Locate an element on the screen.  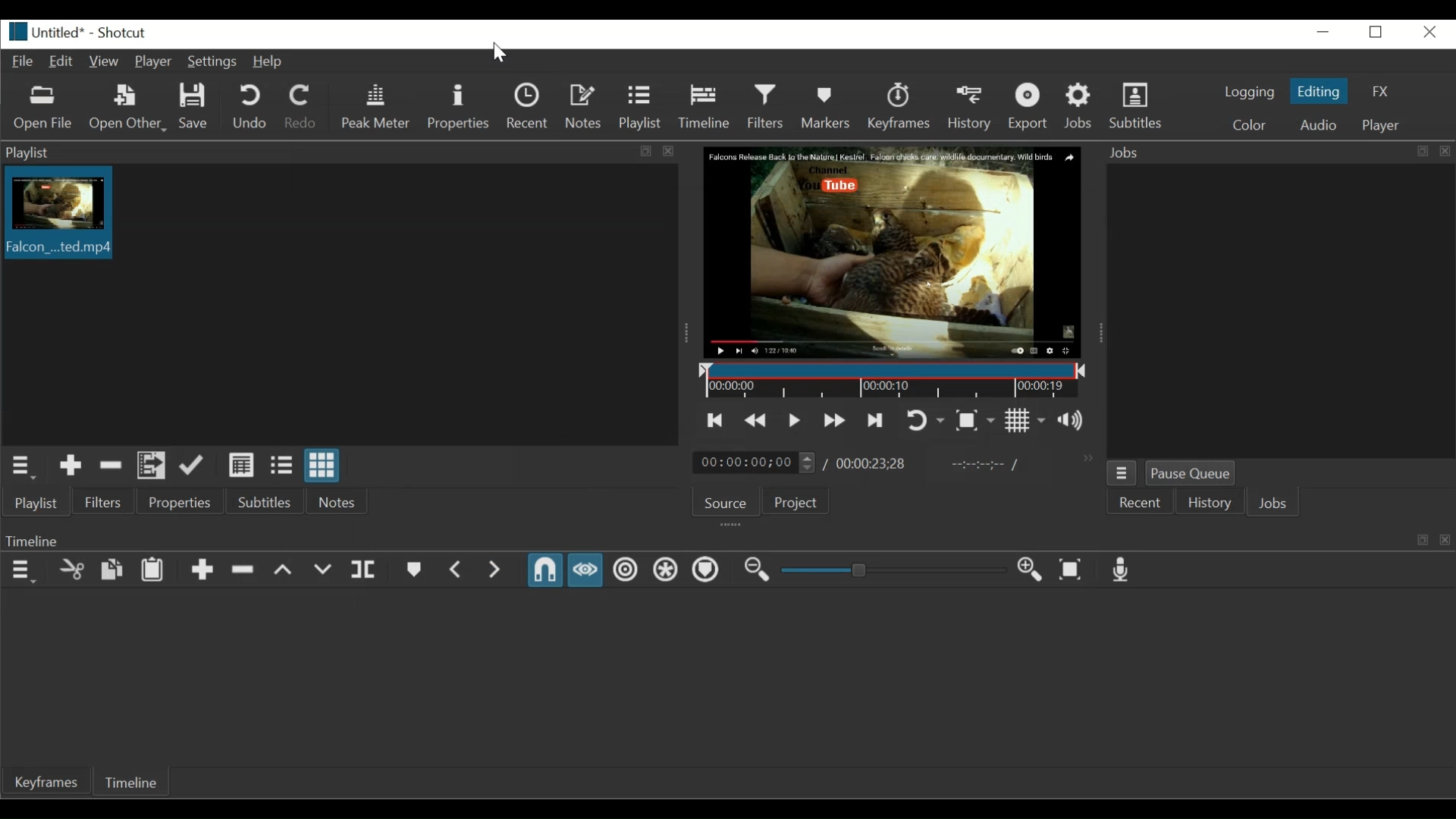
Timeline is located at coordinates (131, 783).